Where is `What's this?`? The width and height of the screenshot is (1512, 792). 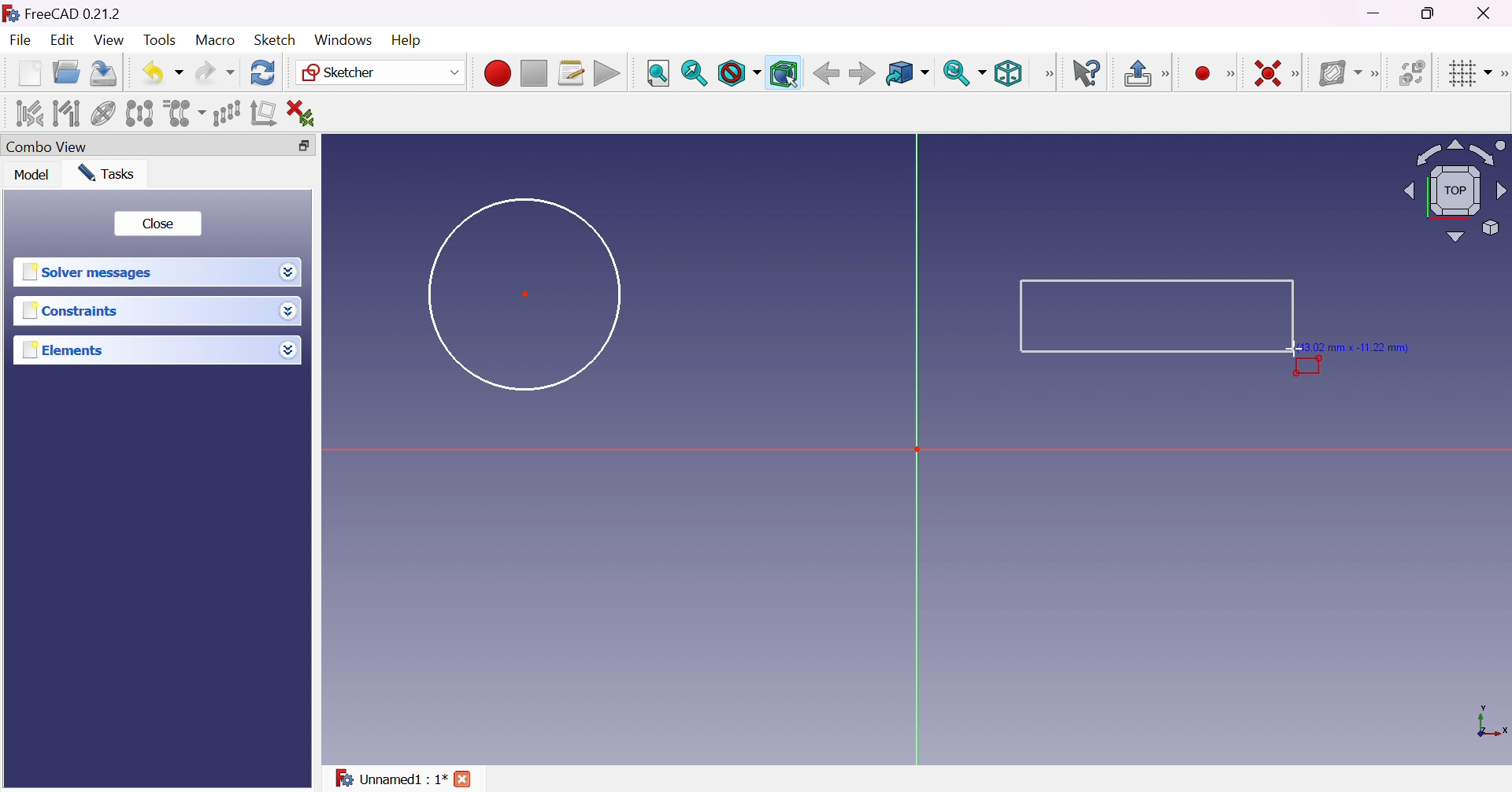
What's this? is located at coordinates (1088, 73).